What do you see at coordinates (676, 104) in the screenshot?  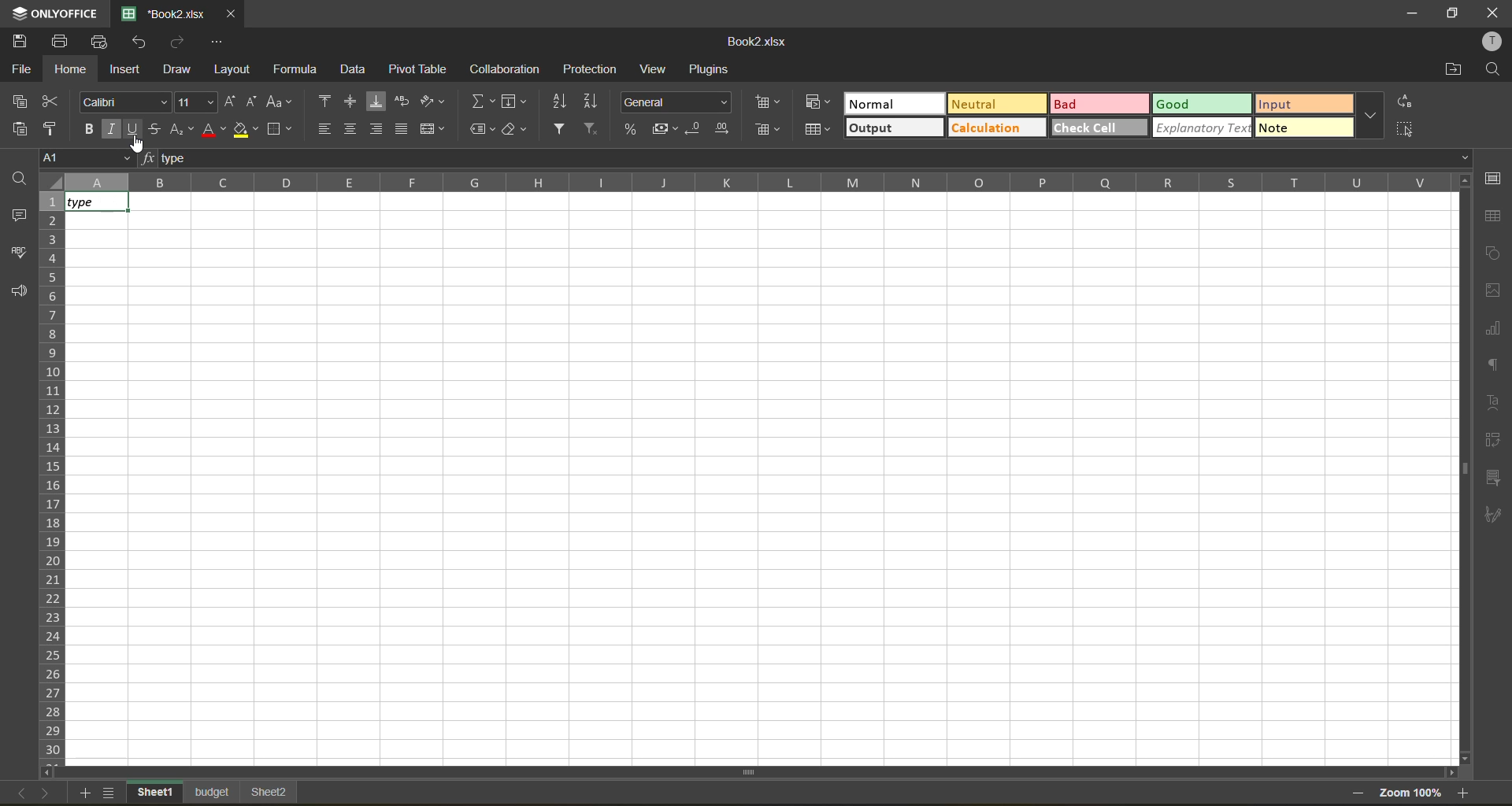 I see `number format` at bounding box center [676, 104].